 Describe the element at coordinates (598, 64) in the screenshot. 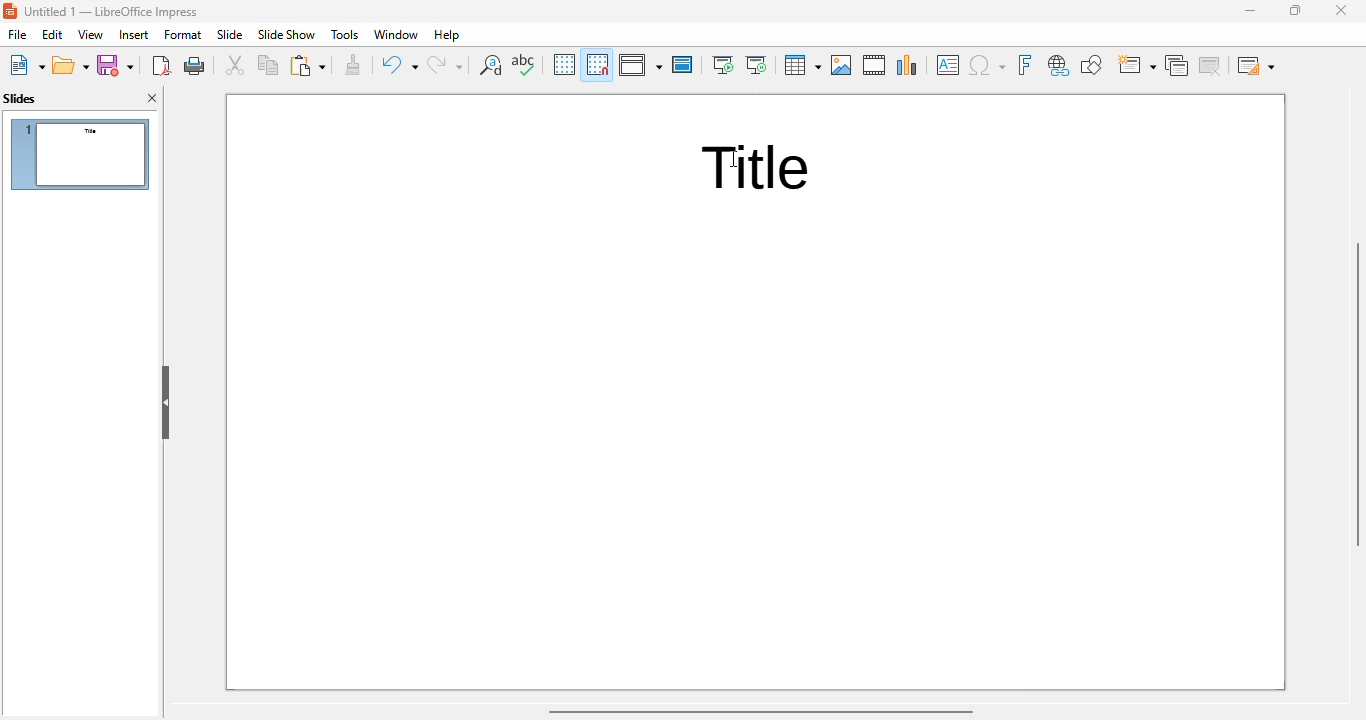

I see `snap to grid` at that location.